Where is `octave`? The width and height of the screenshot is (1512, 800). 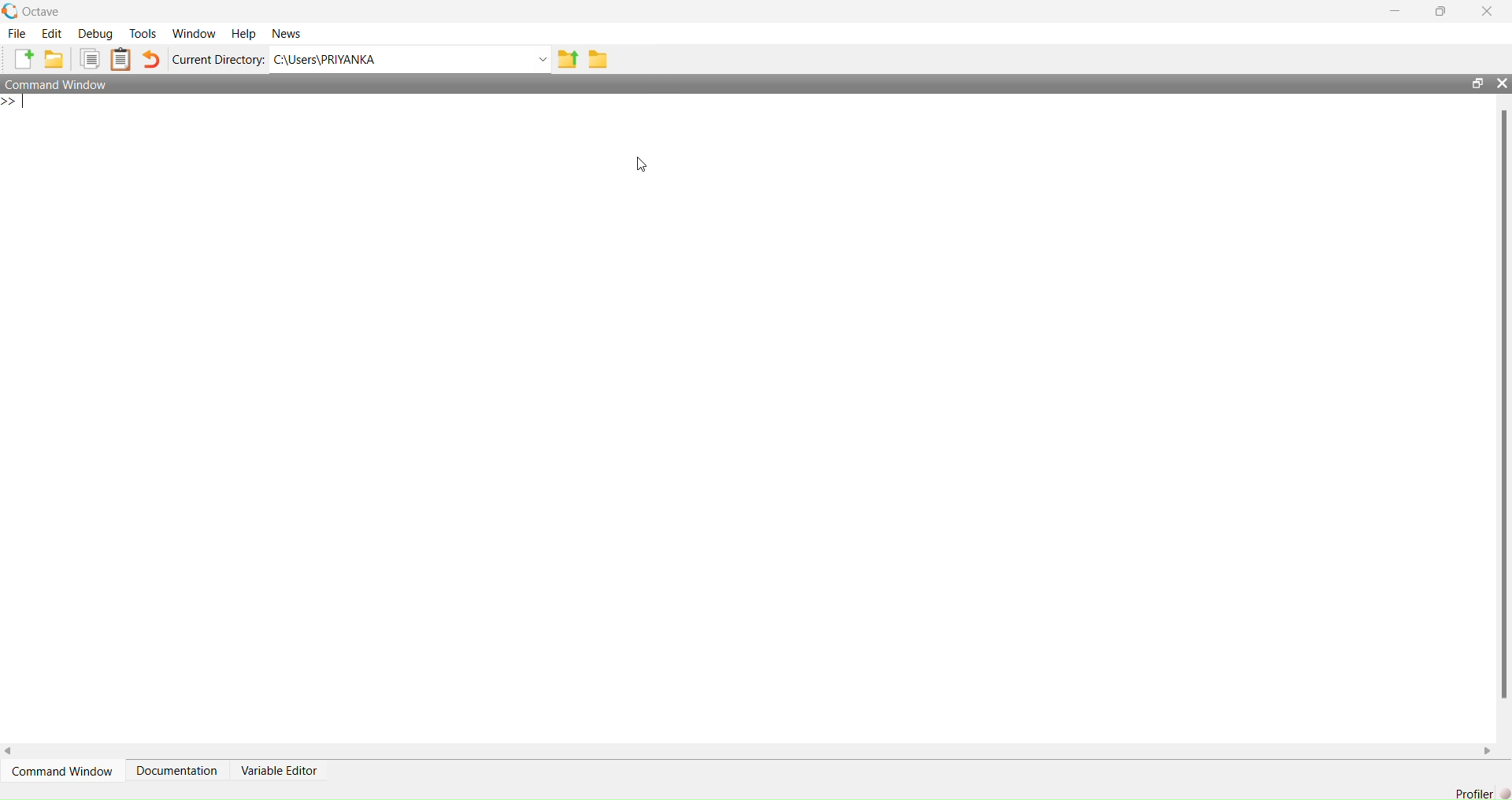 octave is located at coordinates (43, 13).